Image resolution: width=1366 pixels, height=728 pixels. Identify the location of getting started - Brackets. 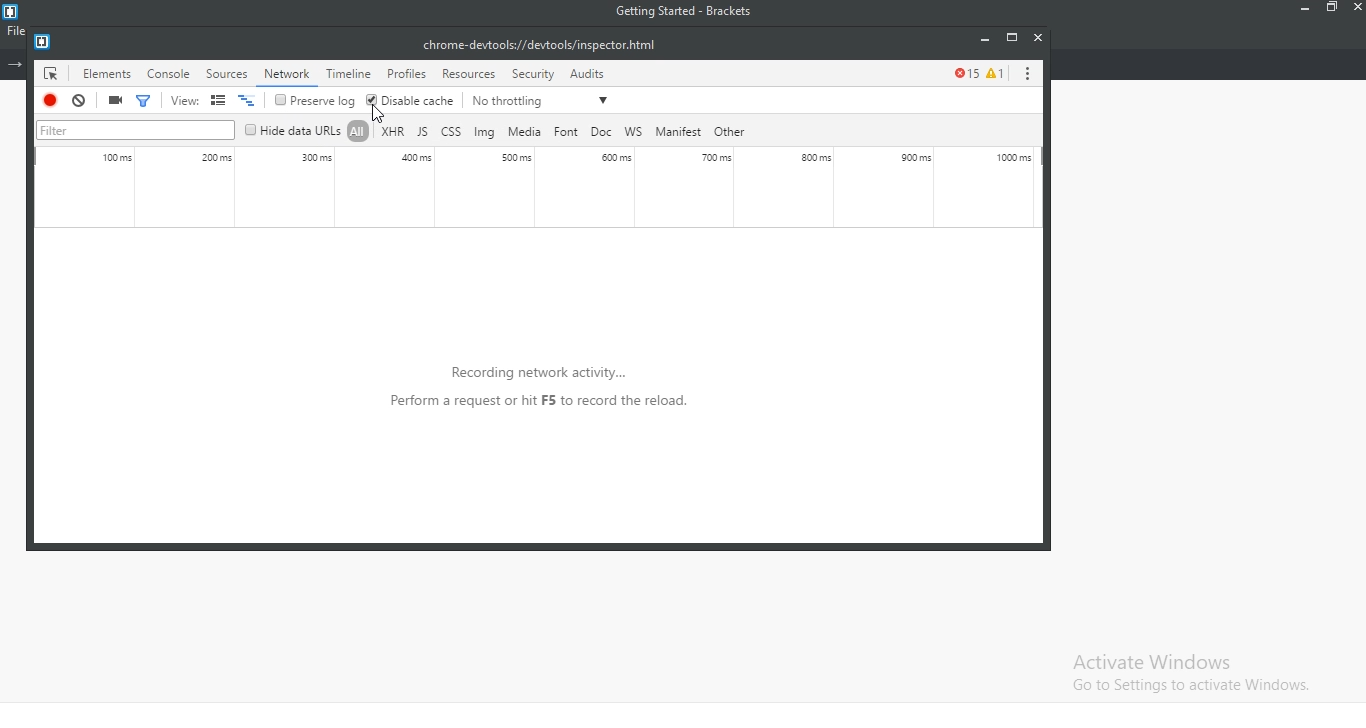
(693, 13).